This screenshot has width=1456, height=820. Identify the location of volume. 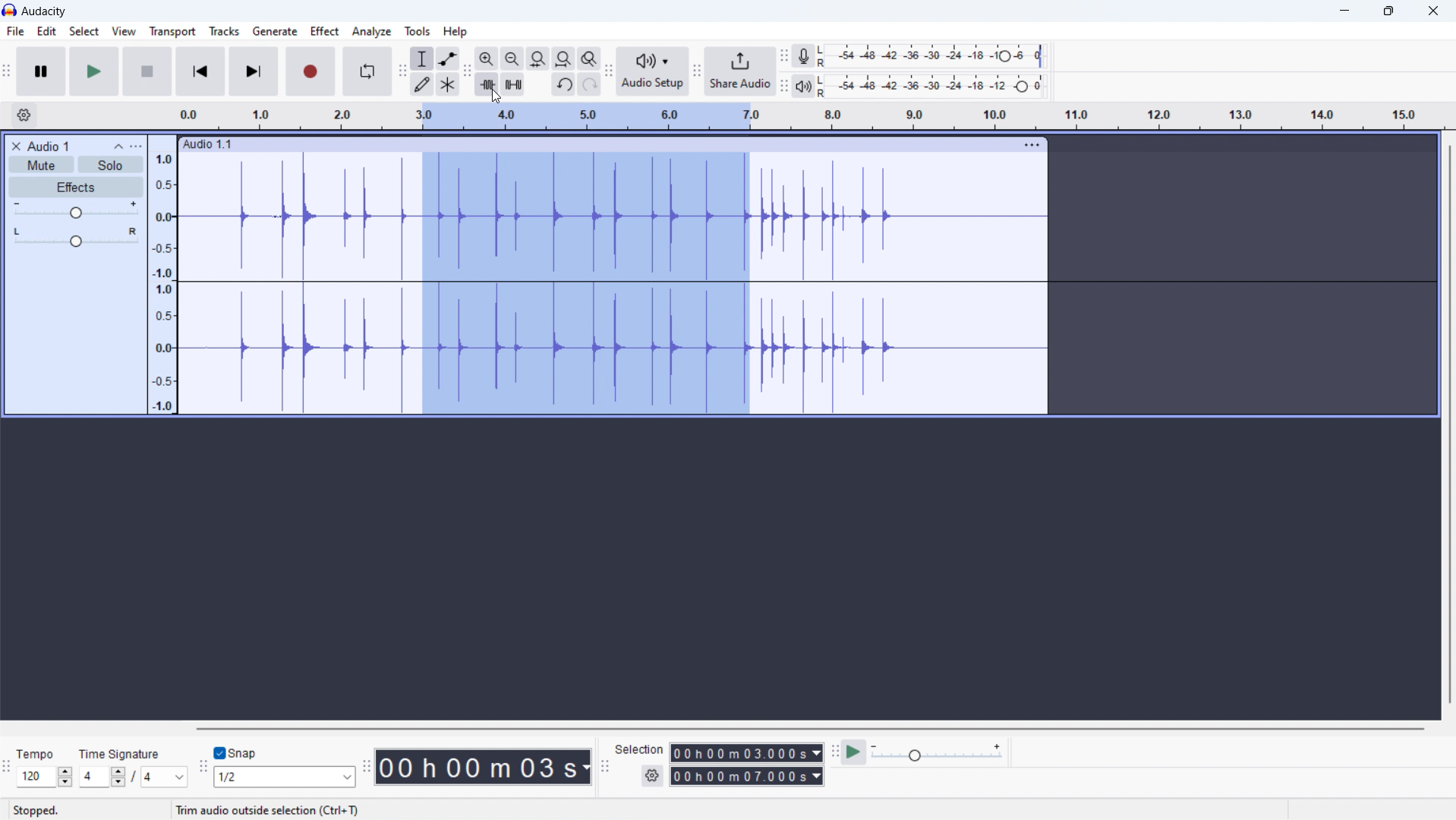
(75, 210).